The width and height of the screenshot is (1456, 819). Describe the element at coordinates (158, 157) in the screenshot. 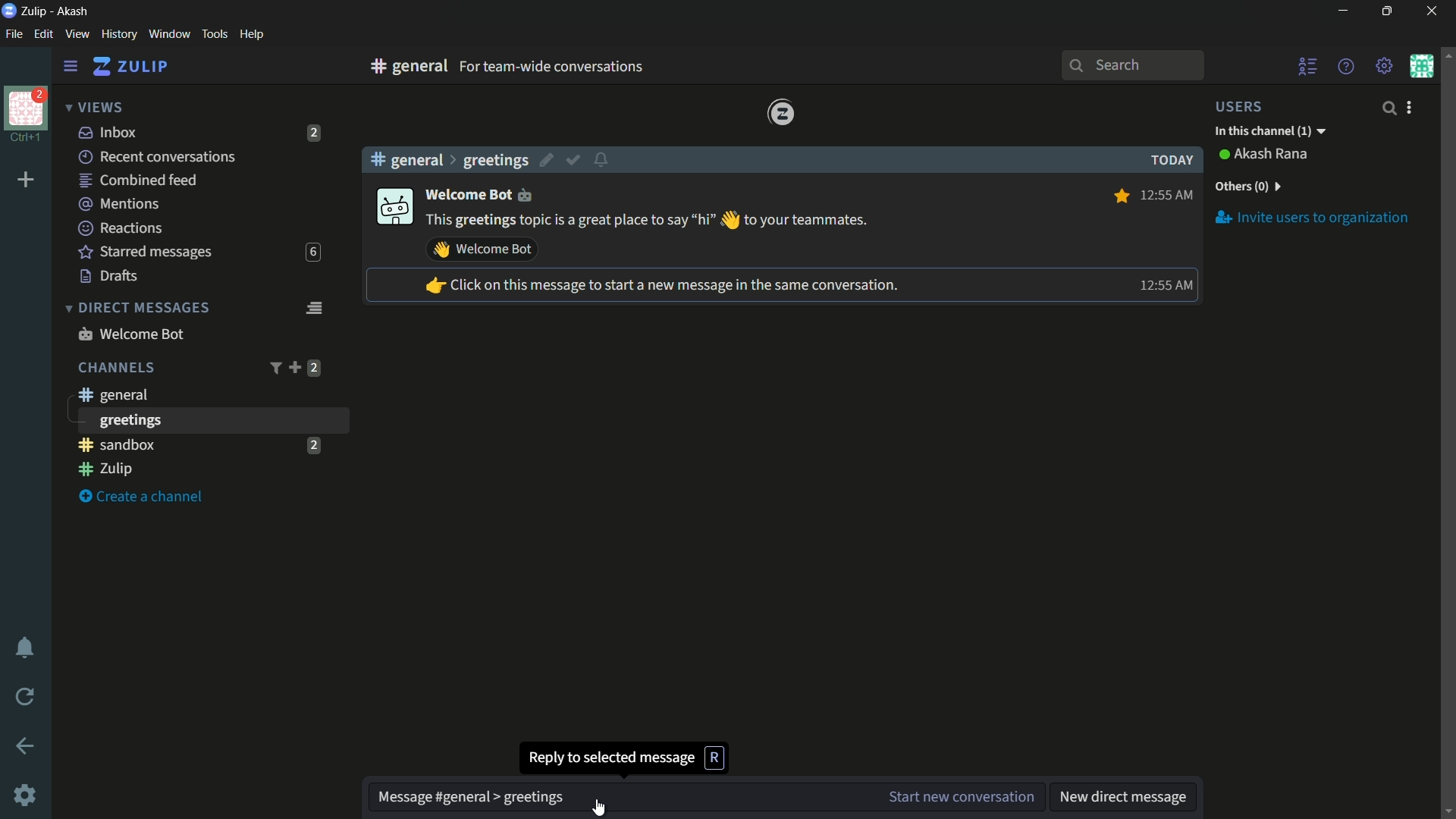

I see `recent conversation` at that location.